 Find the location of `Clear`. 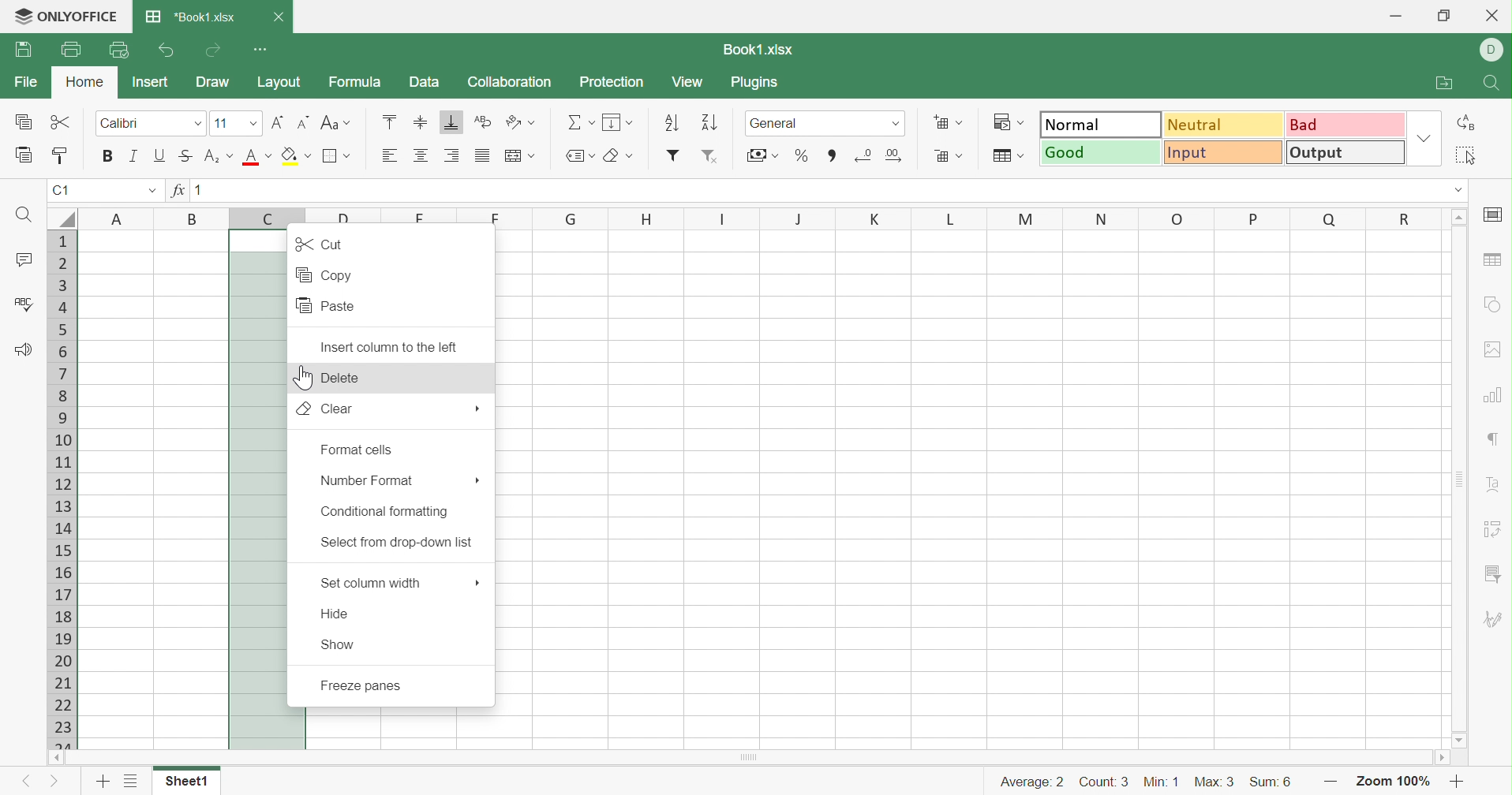

Clear is located at coordinates (613, 156).